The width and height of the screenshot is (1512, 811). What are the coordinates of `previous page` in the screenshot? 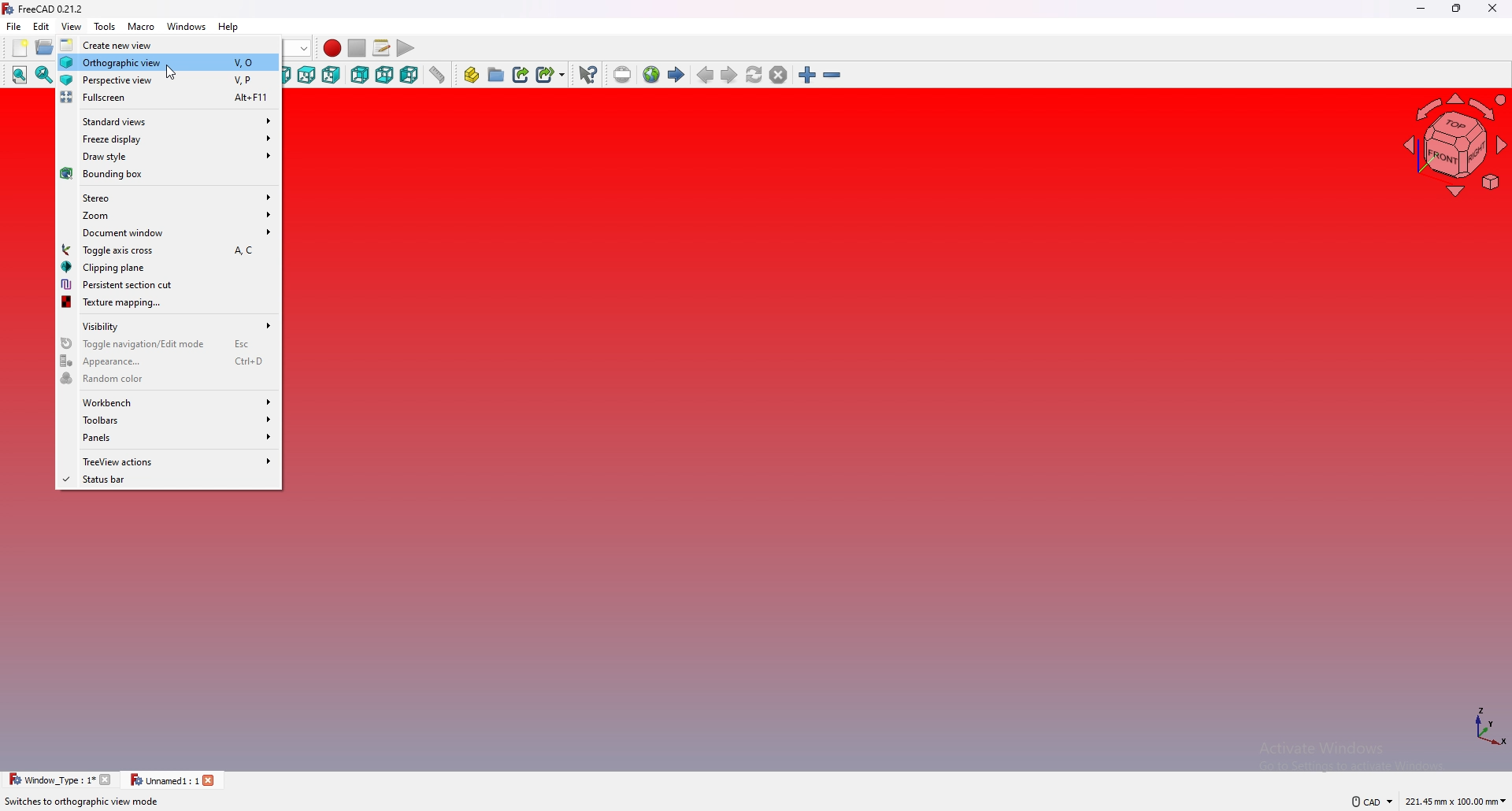 It's located at (706, 76).